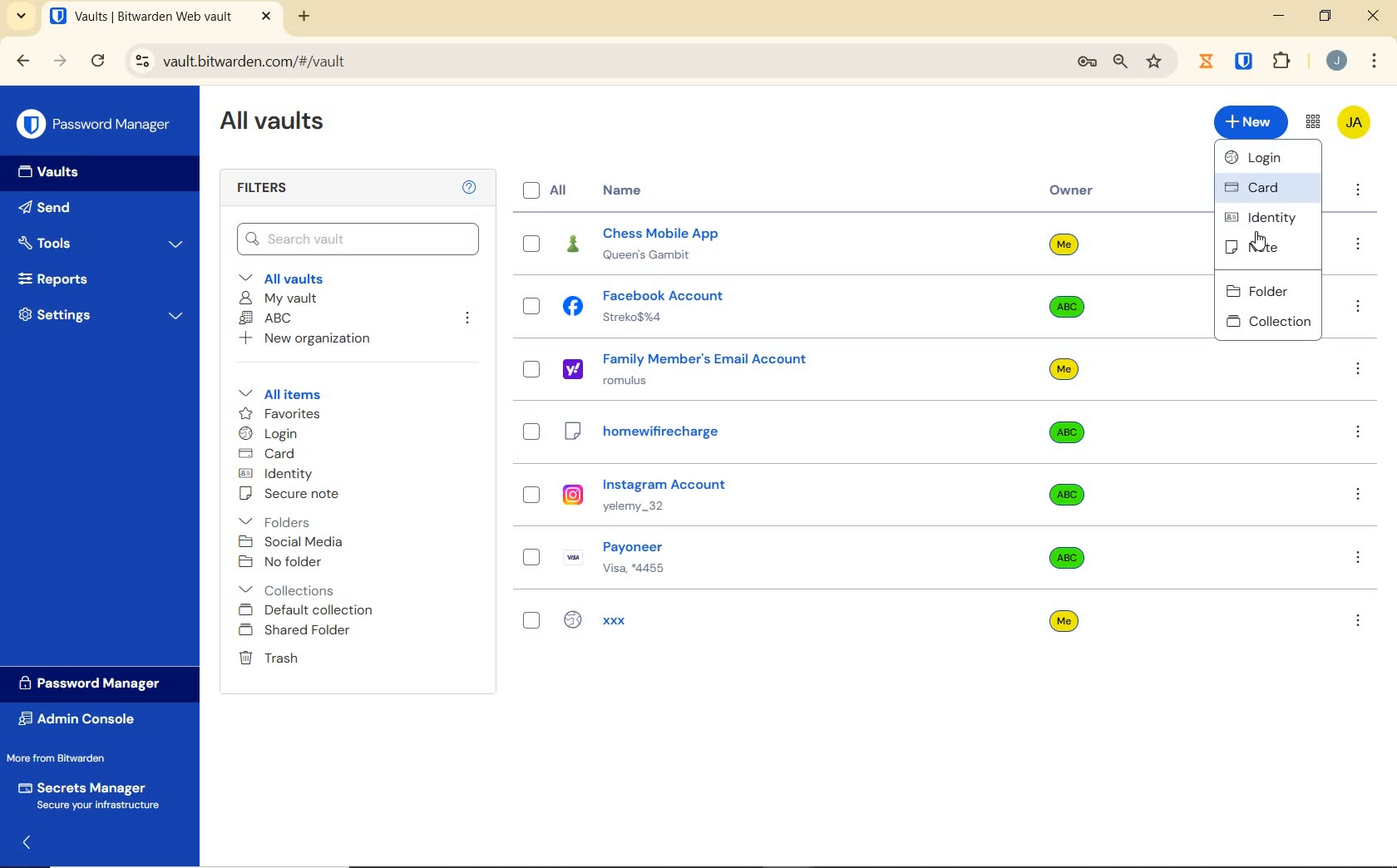 The image size is (1397, 868). I want to click on checkbox, so click(530, 623).